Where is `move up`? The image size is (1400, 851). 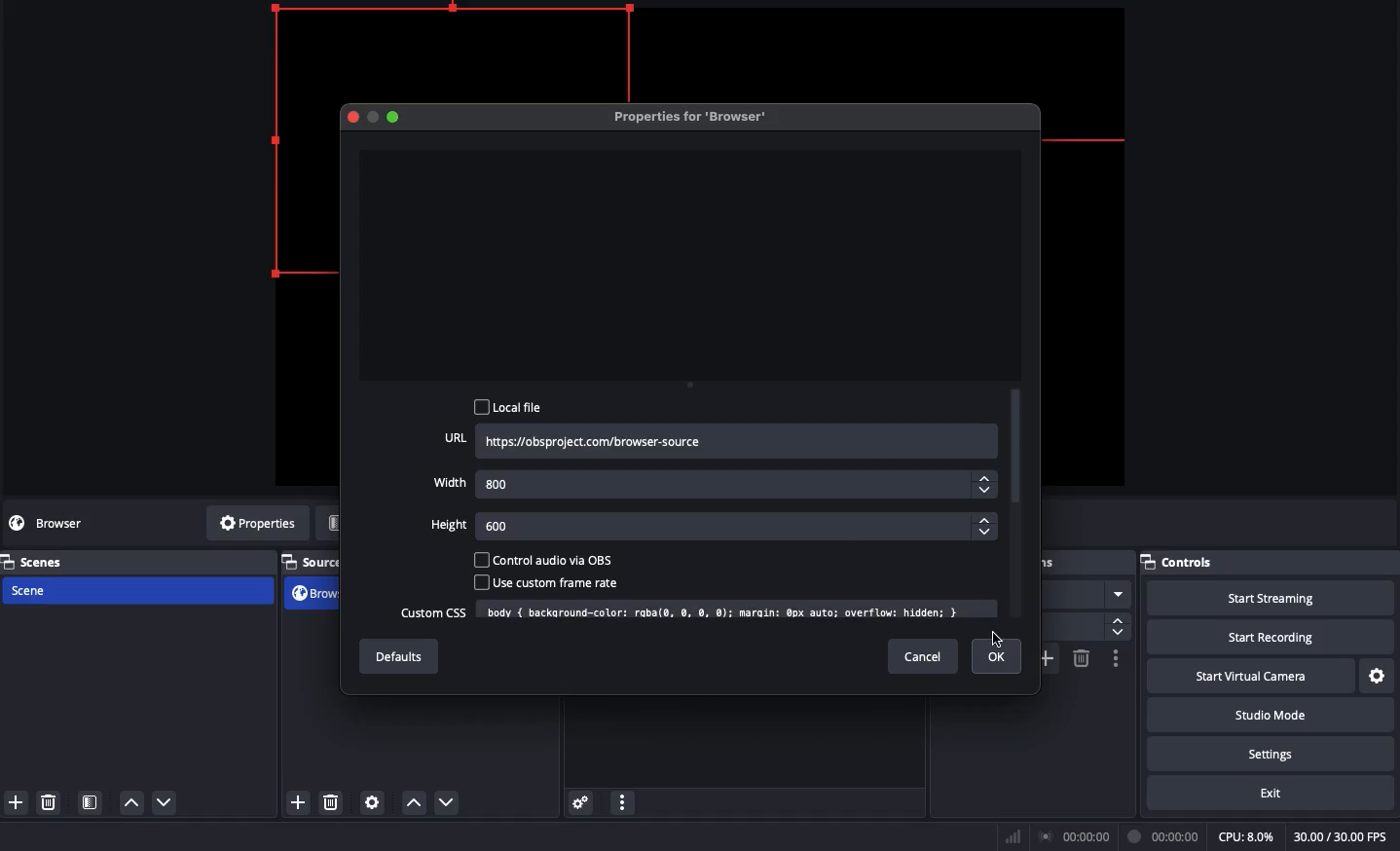
move up is located at coordinates (130, 803).